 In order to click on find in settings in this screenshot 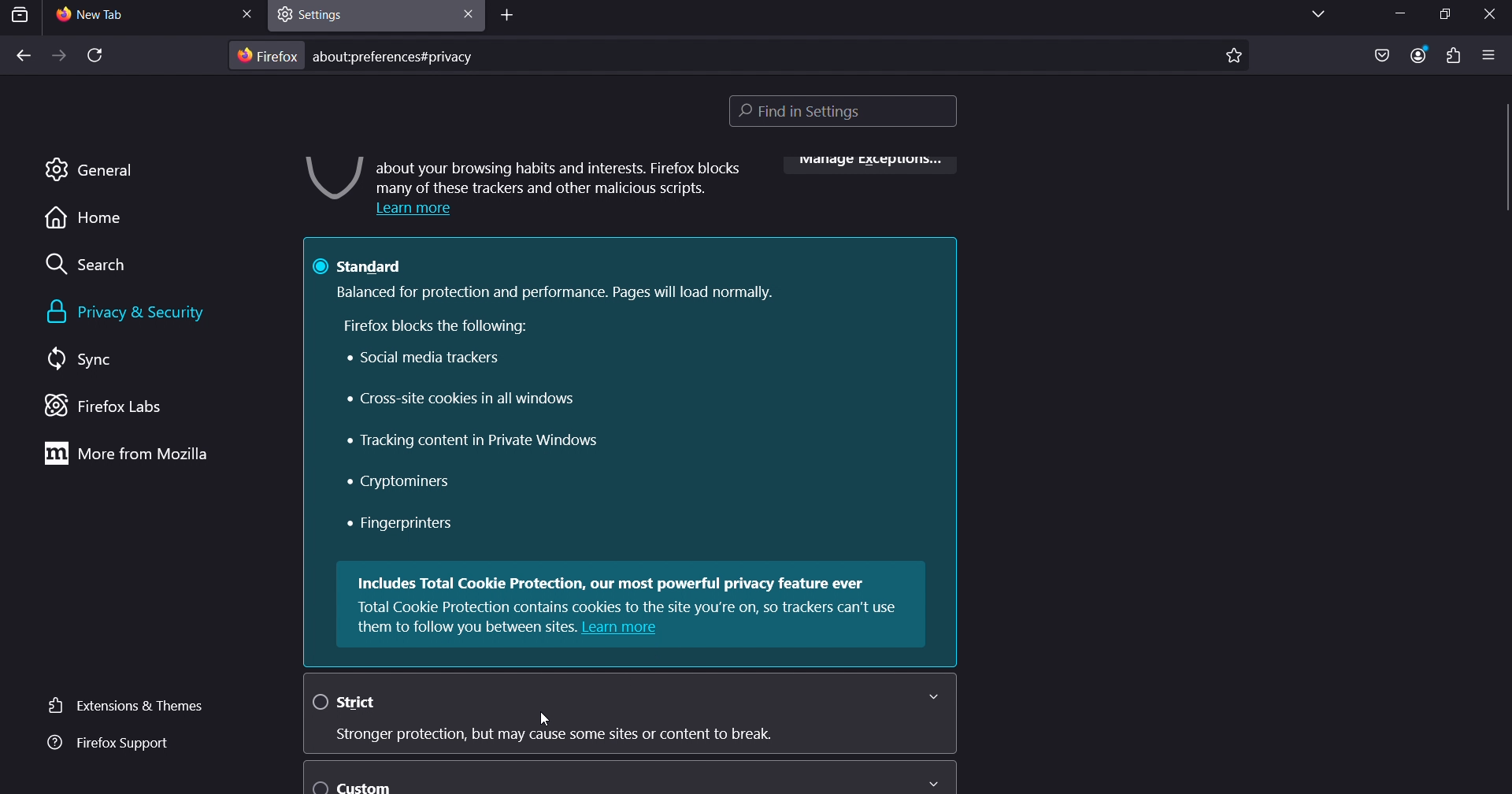, I will do `click(849, 113)`.